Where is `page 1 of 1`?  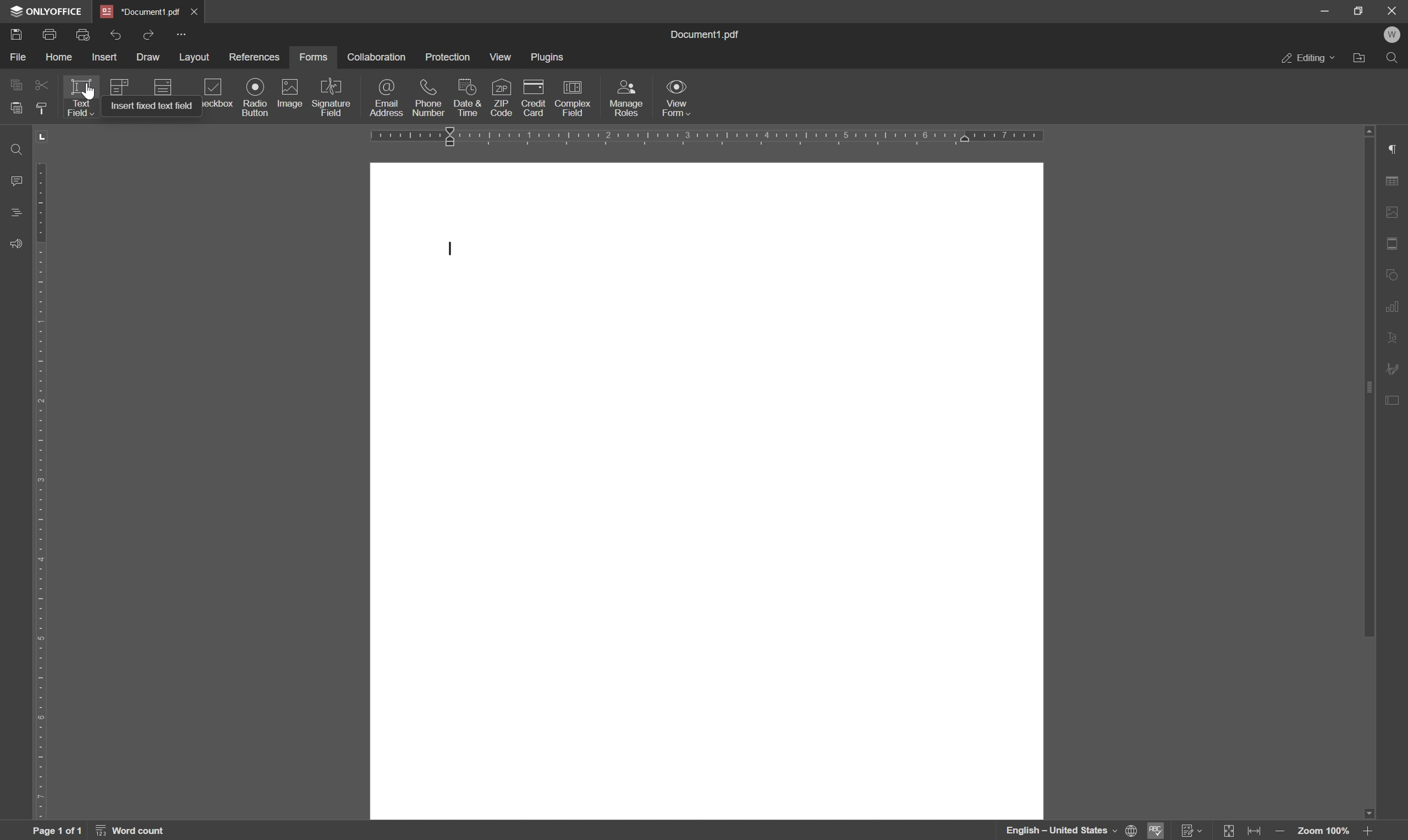 page 1 of 1 is located at coordinates (58, 831).